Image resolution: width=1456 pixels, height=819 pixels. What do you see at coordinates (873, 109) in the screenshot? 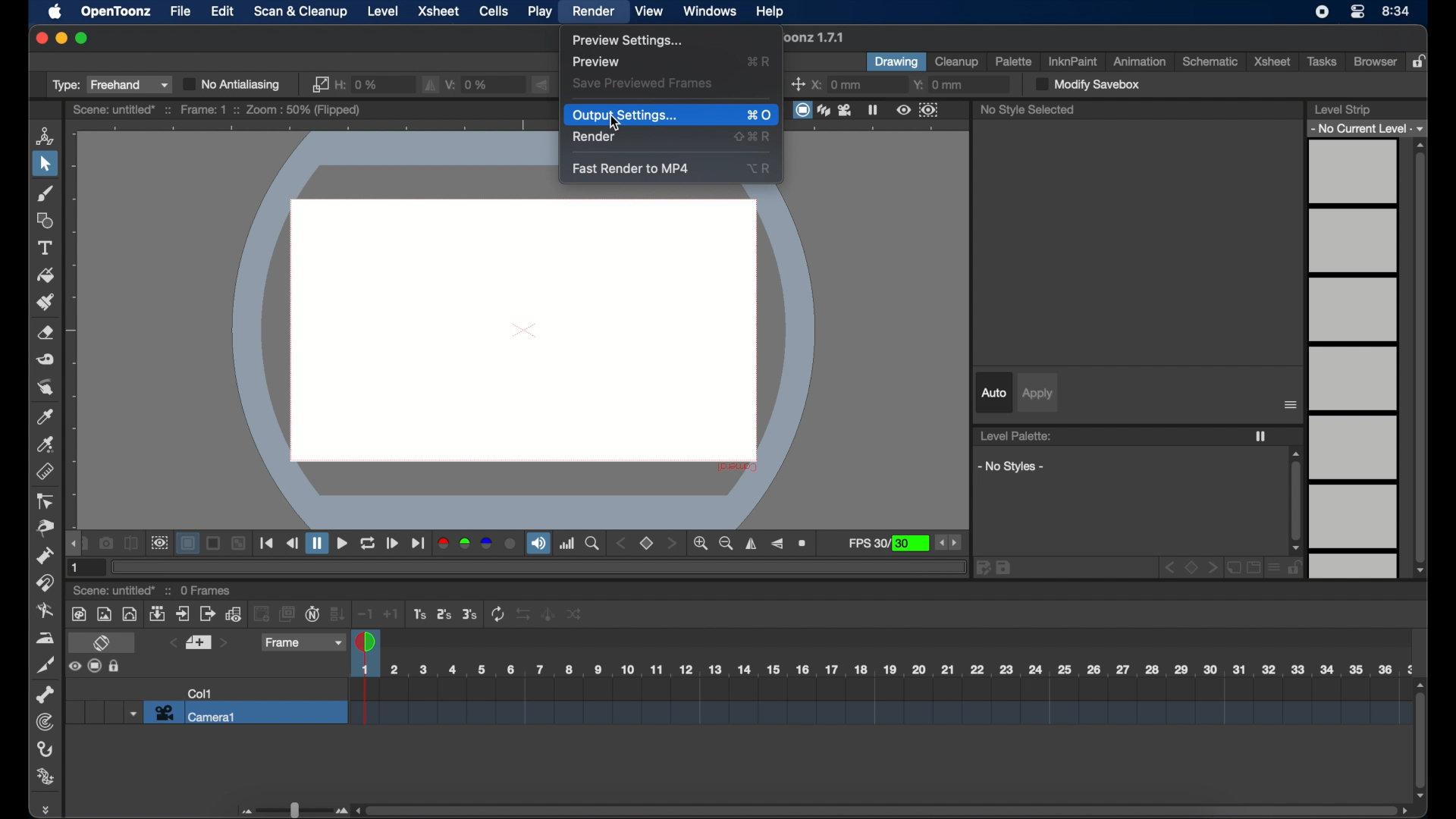
I see `freeze` at bounding box center [873, 109].